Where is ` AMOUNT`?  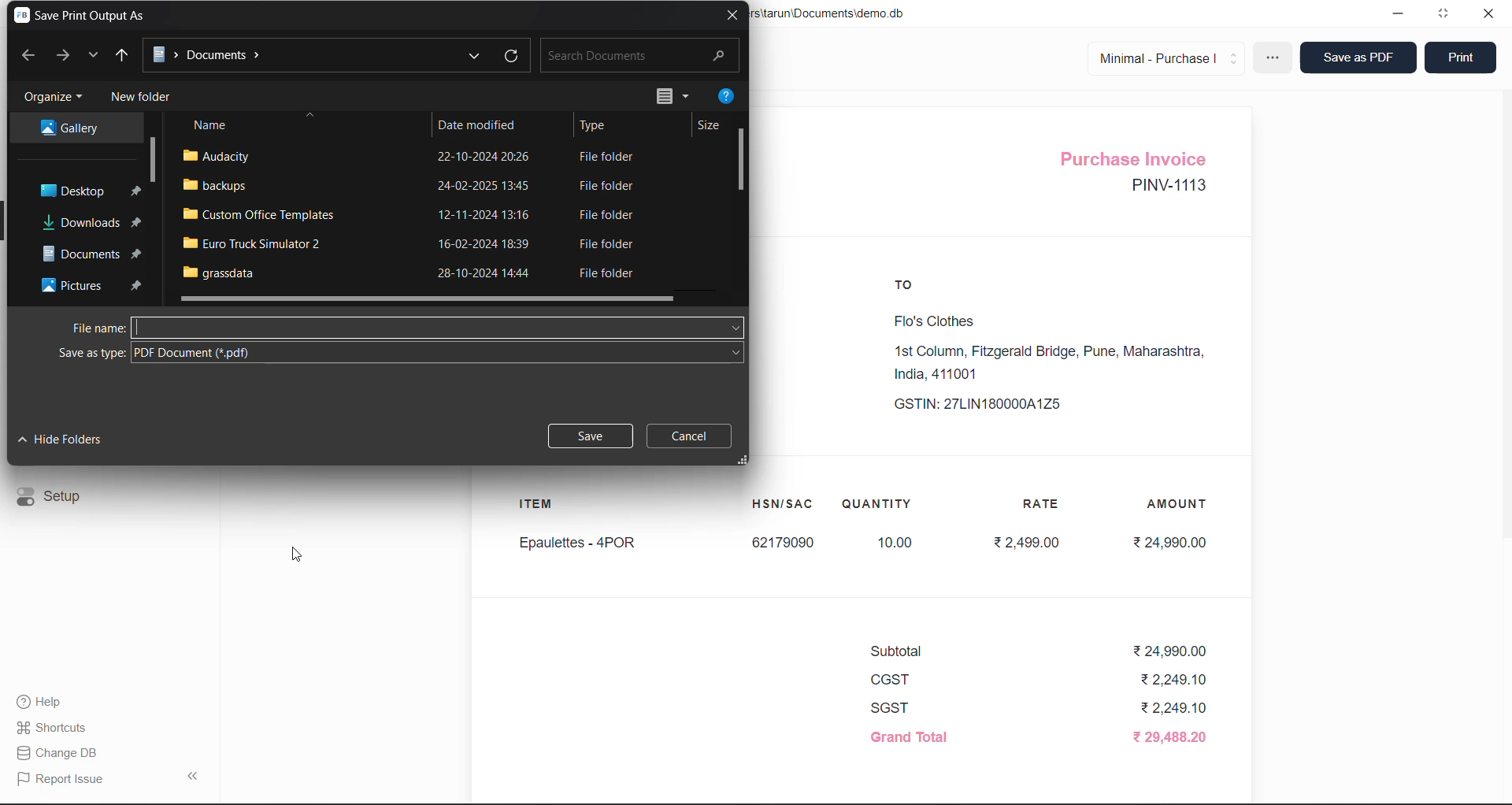  AMOUNT is located at coordinates (1179, 502).